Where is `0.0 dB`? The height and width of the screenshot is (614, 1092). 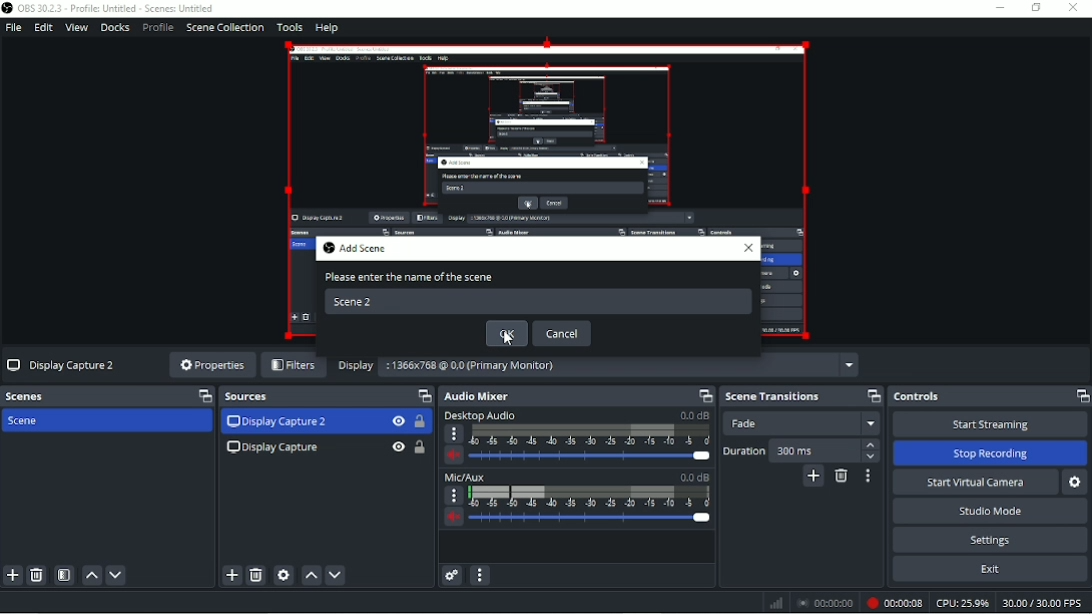
0.0 dB is located at coordinates (693, 414).